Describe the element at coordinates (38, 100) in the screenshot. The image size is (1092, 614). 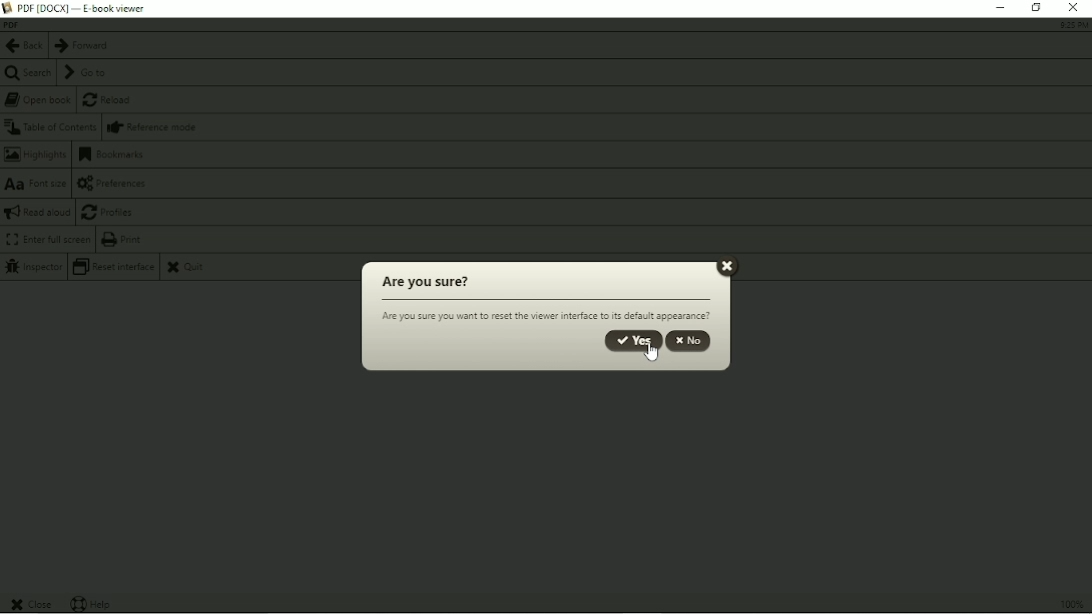
I see `Open book` at that location.